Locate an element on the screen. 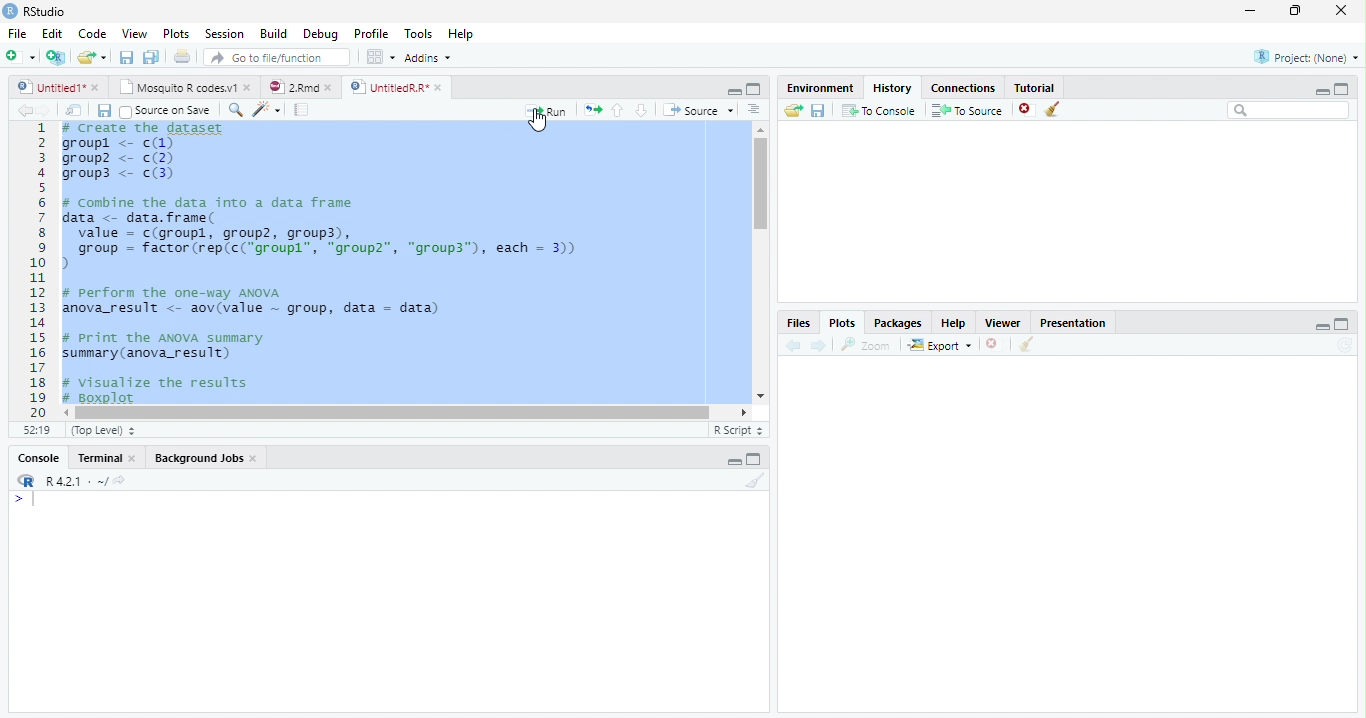 The image size is (1366, 718). R script is located at coordinates (736, 429).